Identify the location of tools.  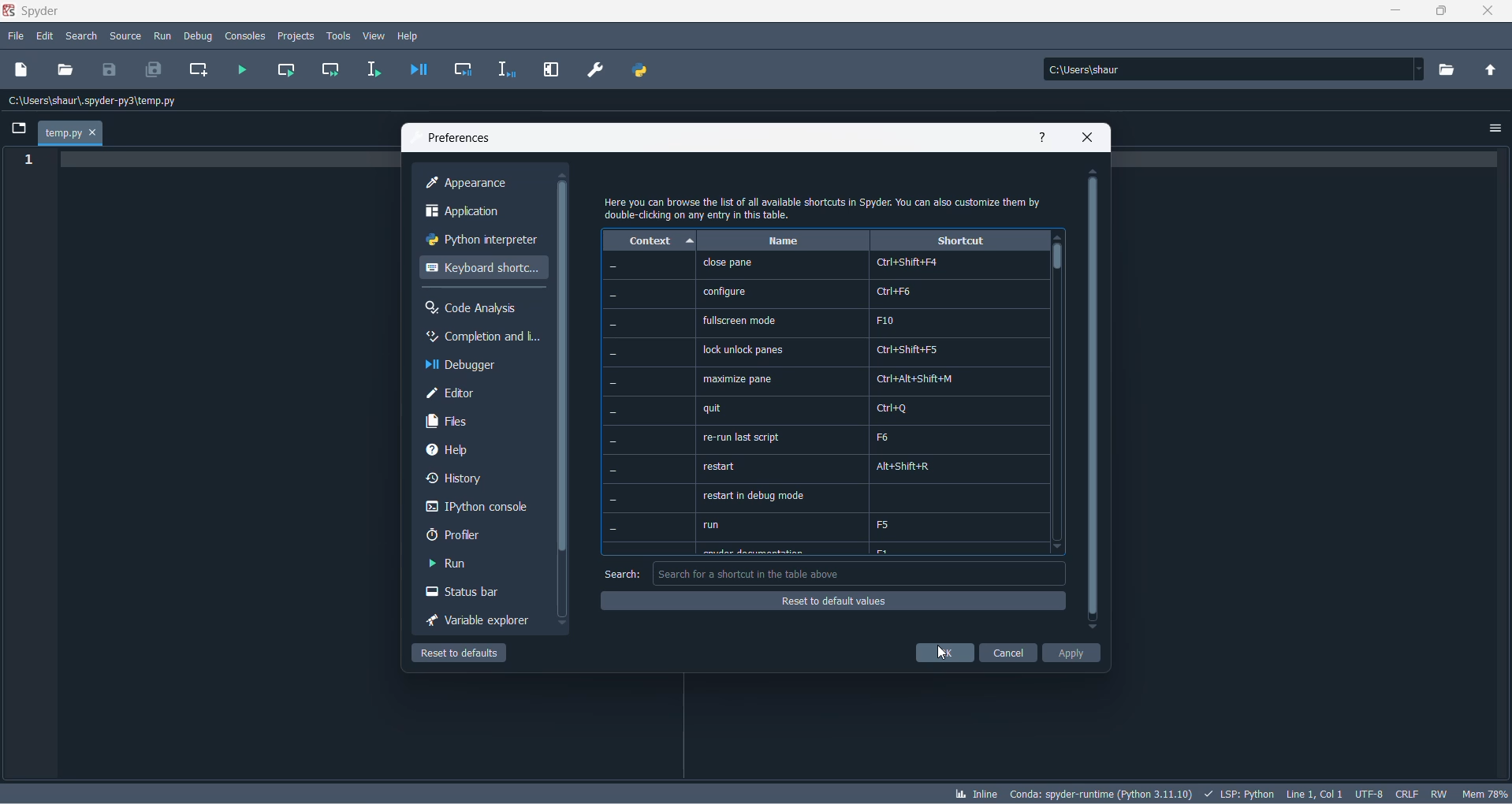
(339, 35).